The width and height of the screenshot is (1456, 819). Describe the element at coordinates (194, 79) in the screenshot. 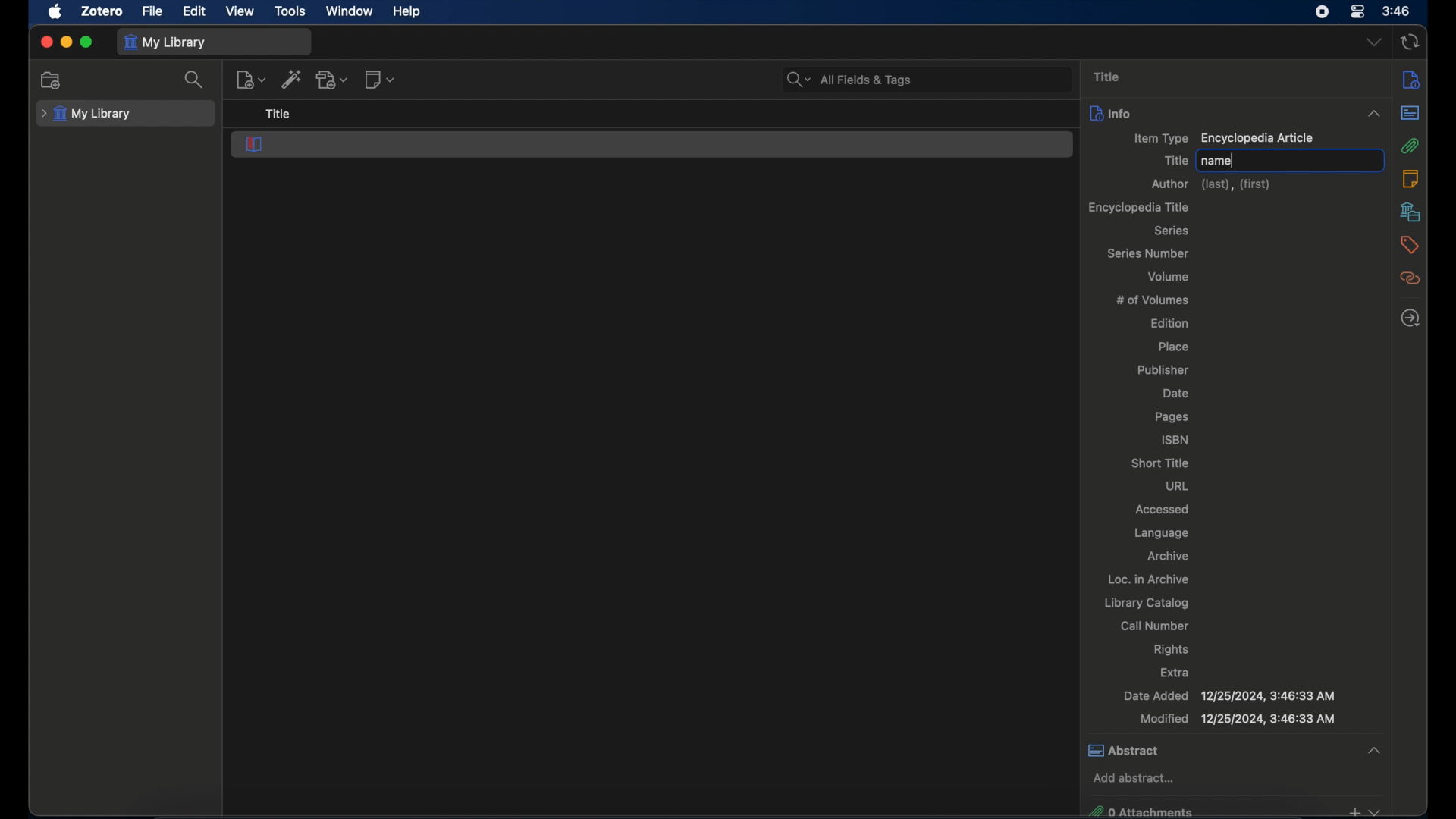

I see `search` at that location.